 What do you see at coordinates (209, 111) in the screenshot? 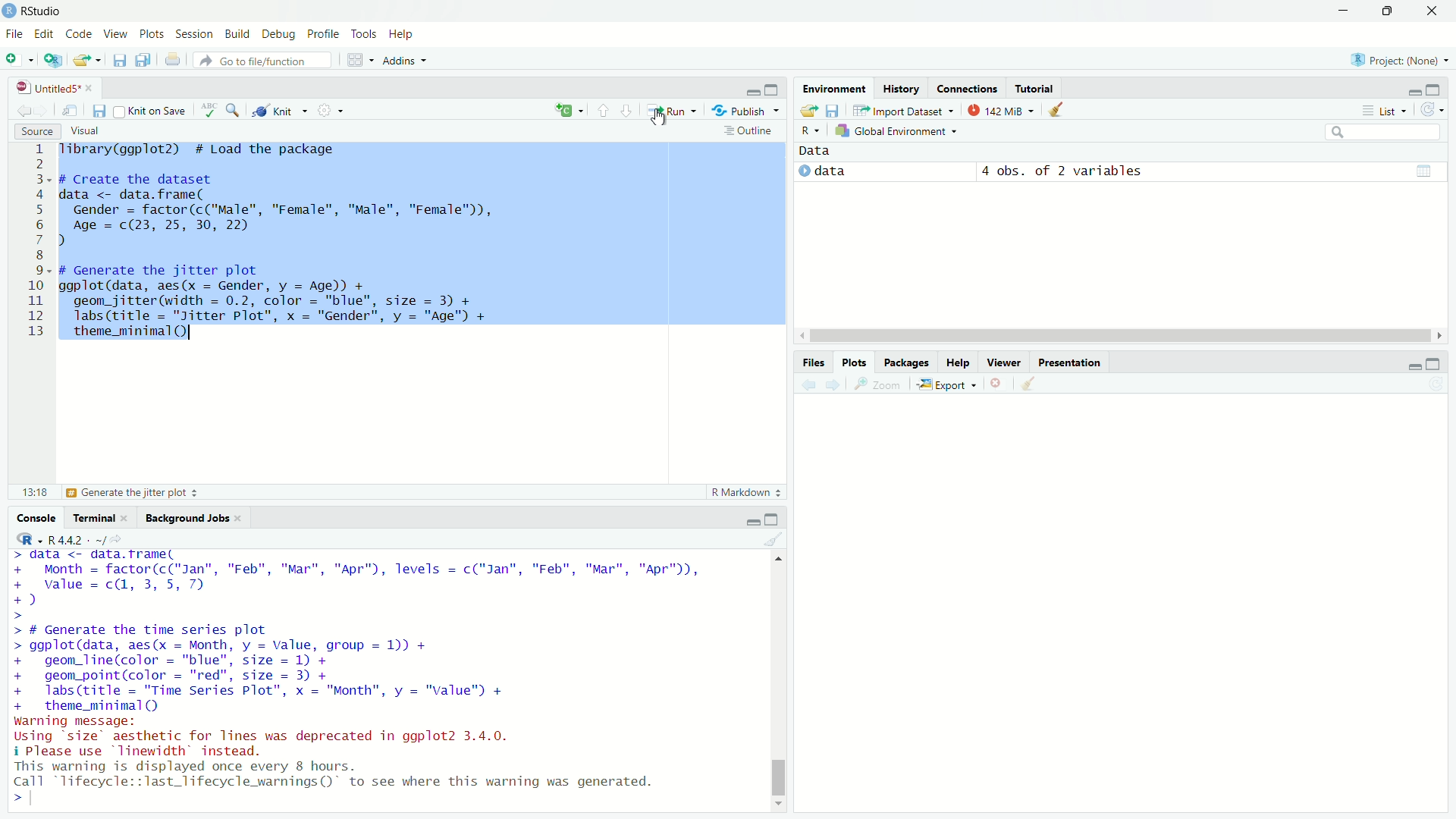
I see `spell check` at bounding box center [209, 111].